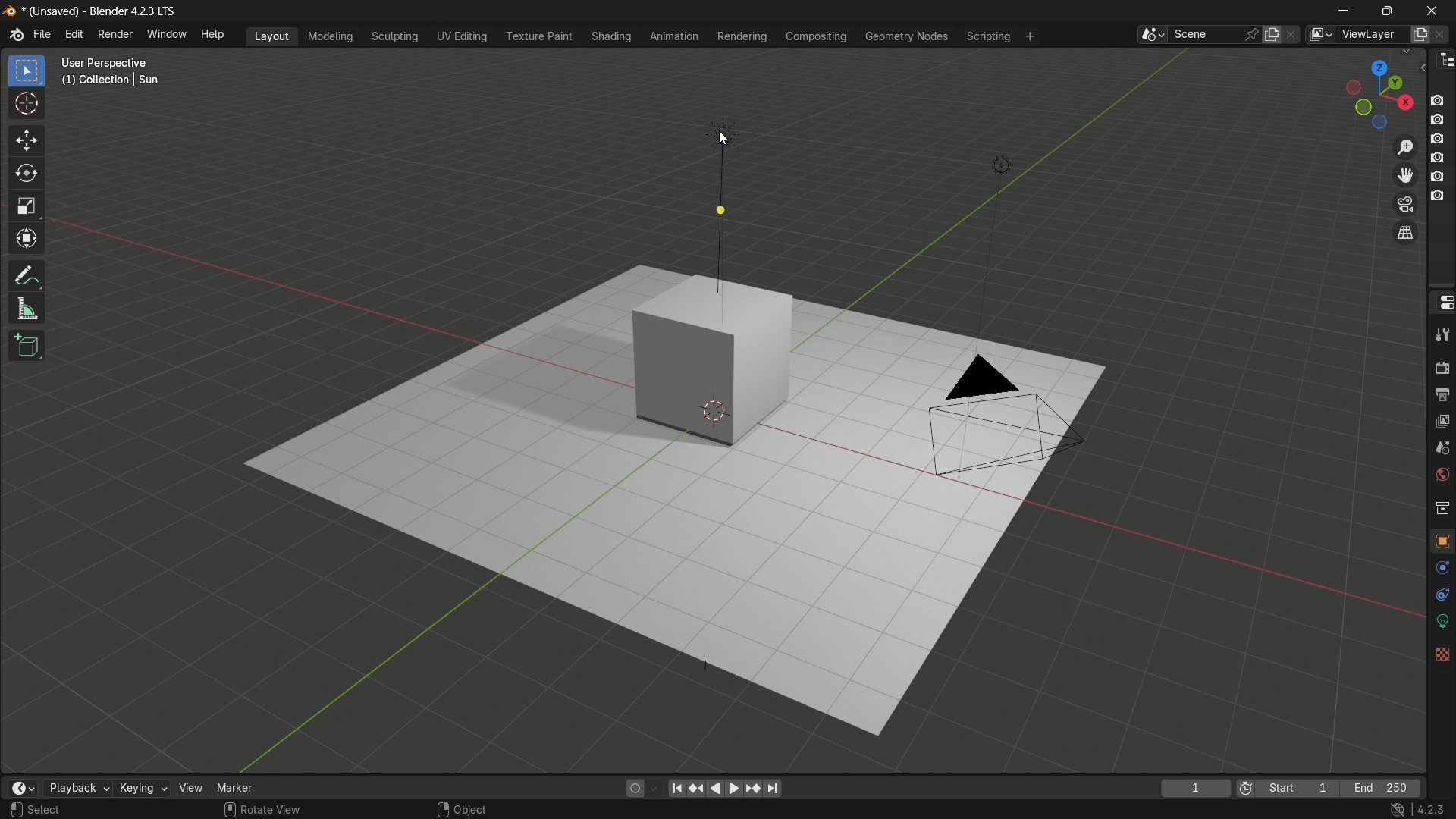 The image size is (1456, 819). Describe the element at coordinates (1148, 35) in the screenshot. I see `browse scenes` at that location.